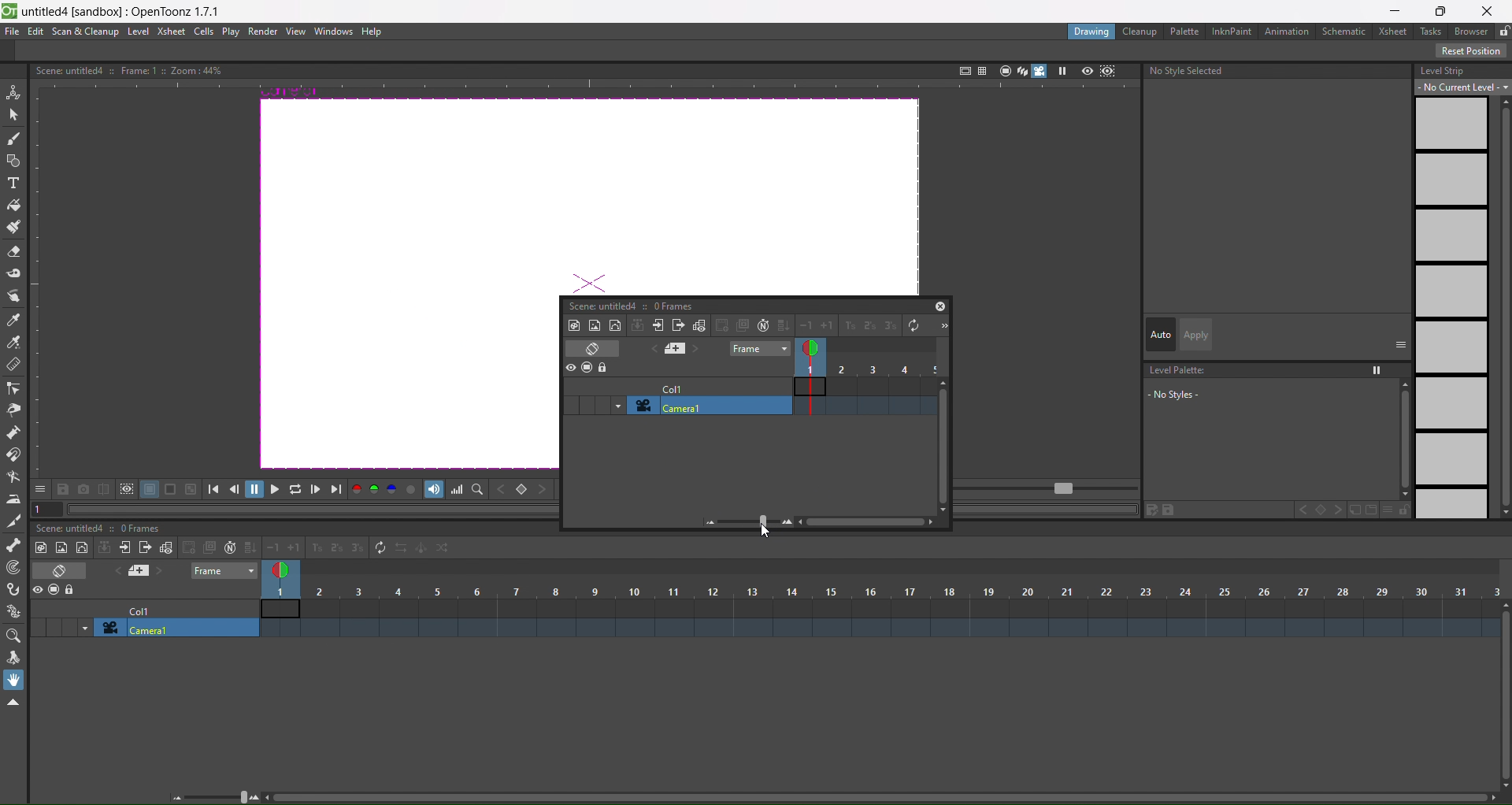 This screenshot has width=1512, height=805. Describe the element at coordinates (14, 544) in the screenshot. I see `skeleton tool` at that location.